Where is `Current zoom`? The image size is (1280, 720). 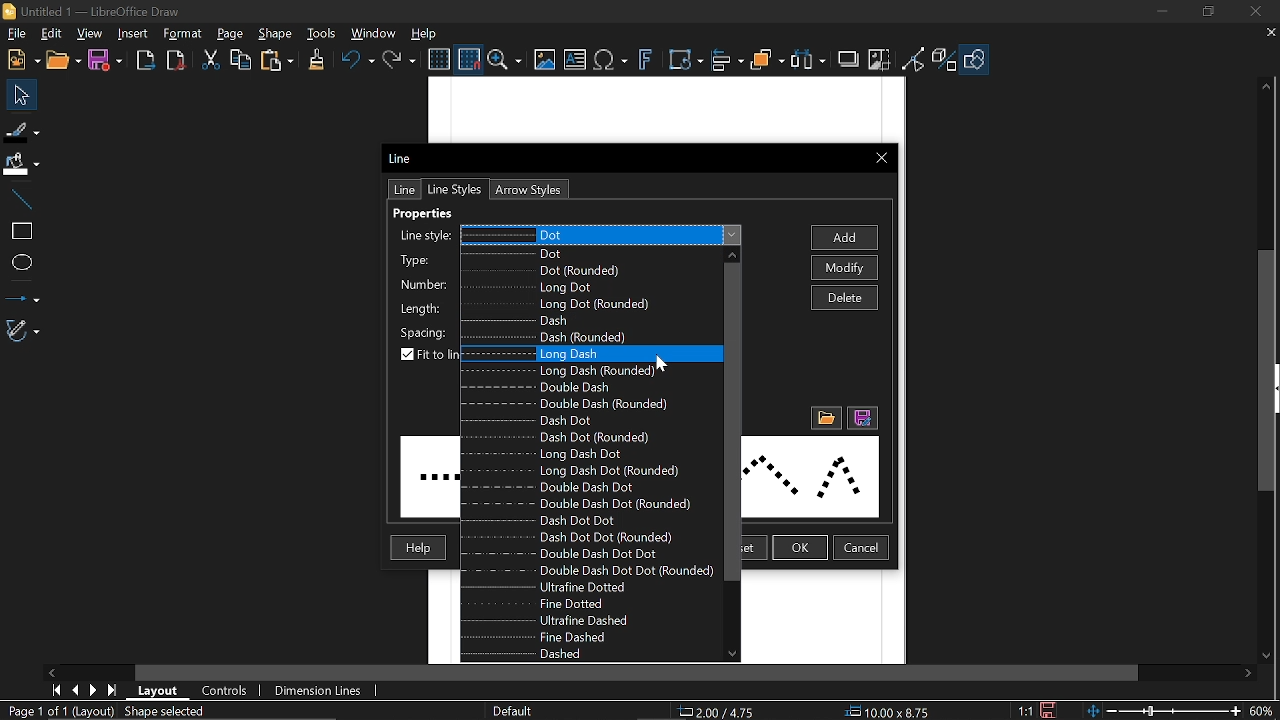 Current zoom is located at coordinates (1263, 710).